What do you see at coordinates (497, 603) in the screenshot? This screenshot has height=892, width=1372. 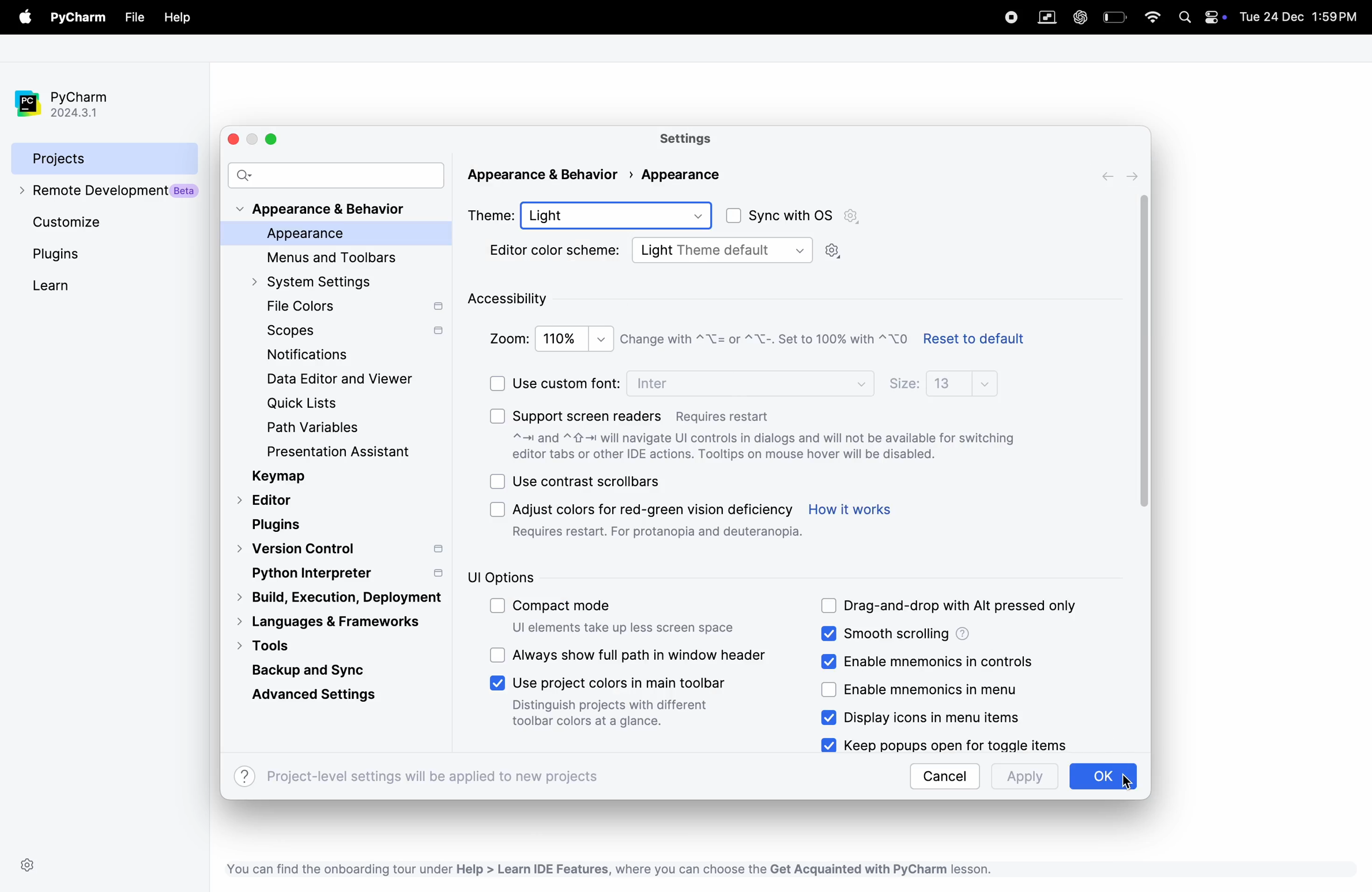 I see `check boxes` at bounding box center [497, 603].